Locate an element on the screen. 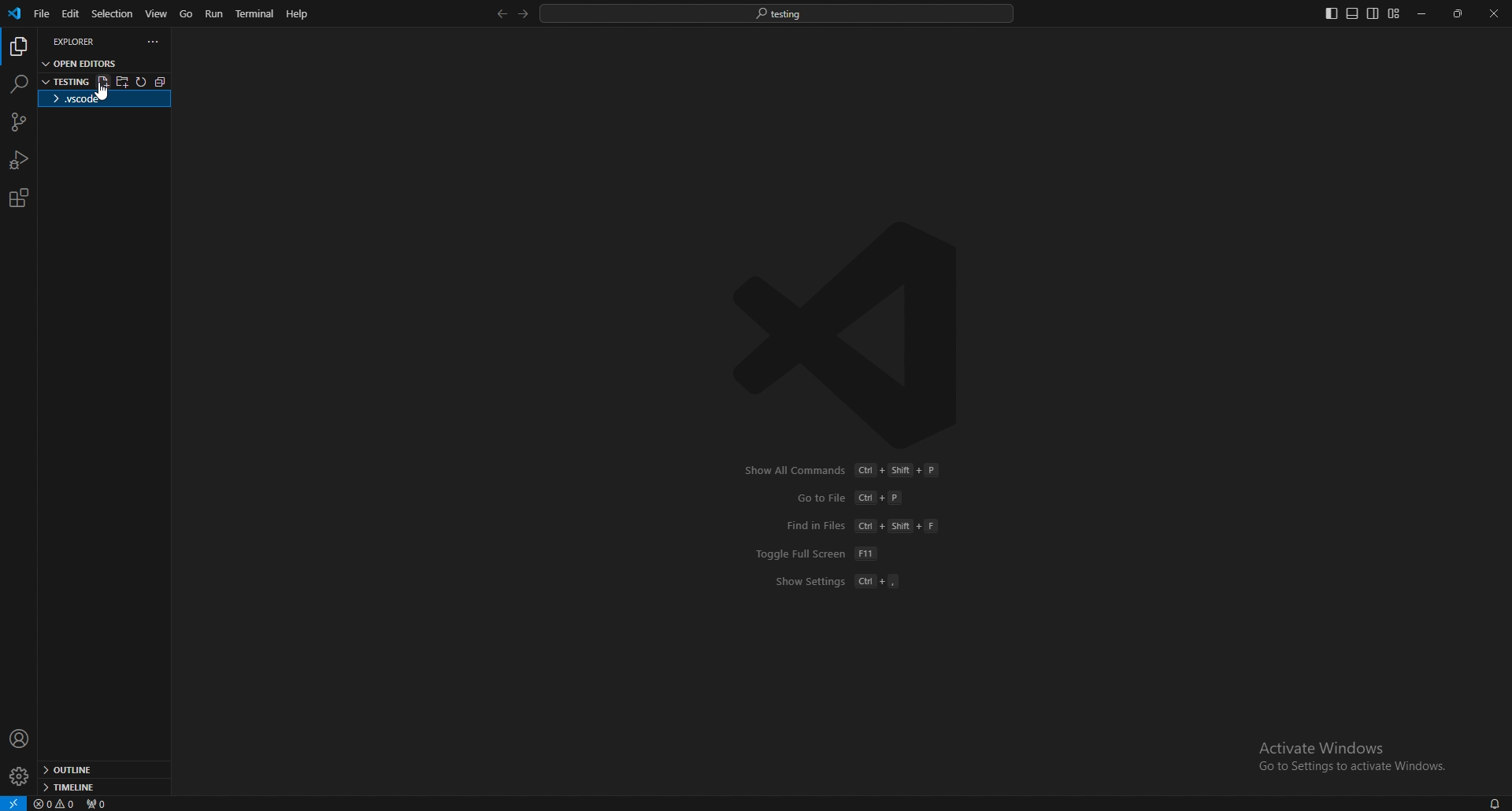 Image resolution: width=1512 pixels, height=811 pixels. forward is located at coordinates (521, 14).